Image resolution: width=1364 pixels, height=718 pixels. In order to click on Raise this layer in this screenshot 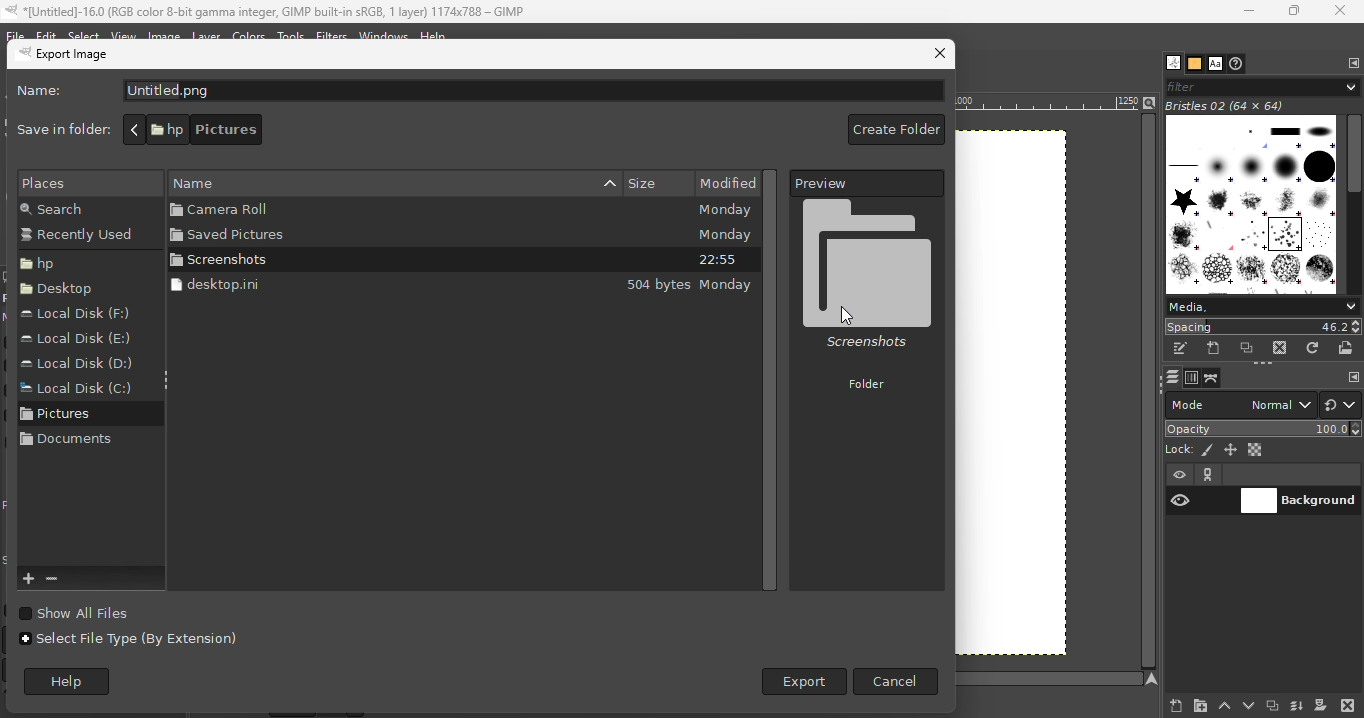, I will do `click(1223, 704)`.